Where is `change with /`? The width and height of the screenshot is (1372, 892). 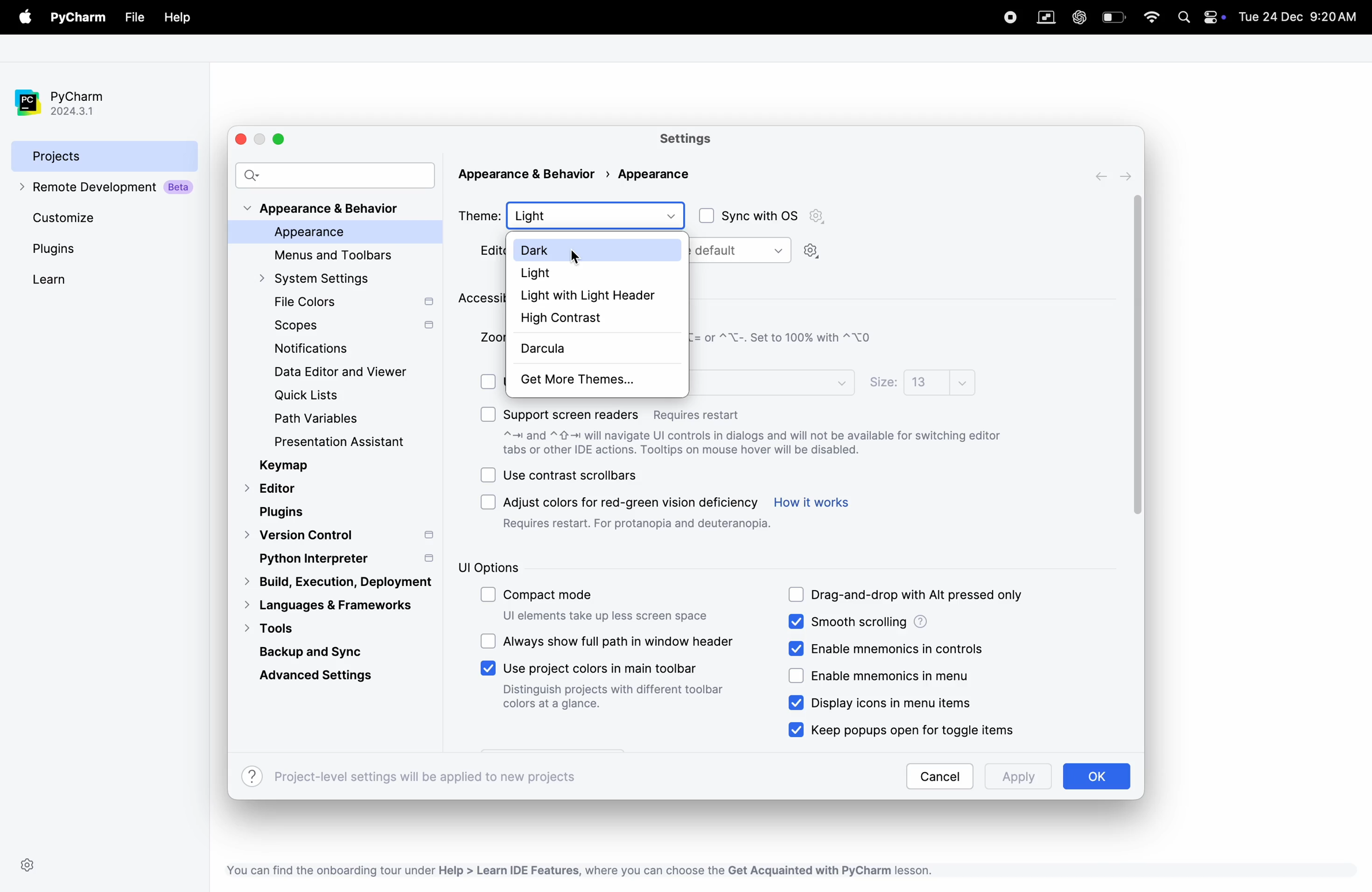
change with / is located at coordinates (782, 338).